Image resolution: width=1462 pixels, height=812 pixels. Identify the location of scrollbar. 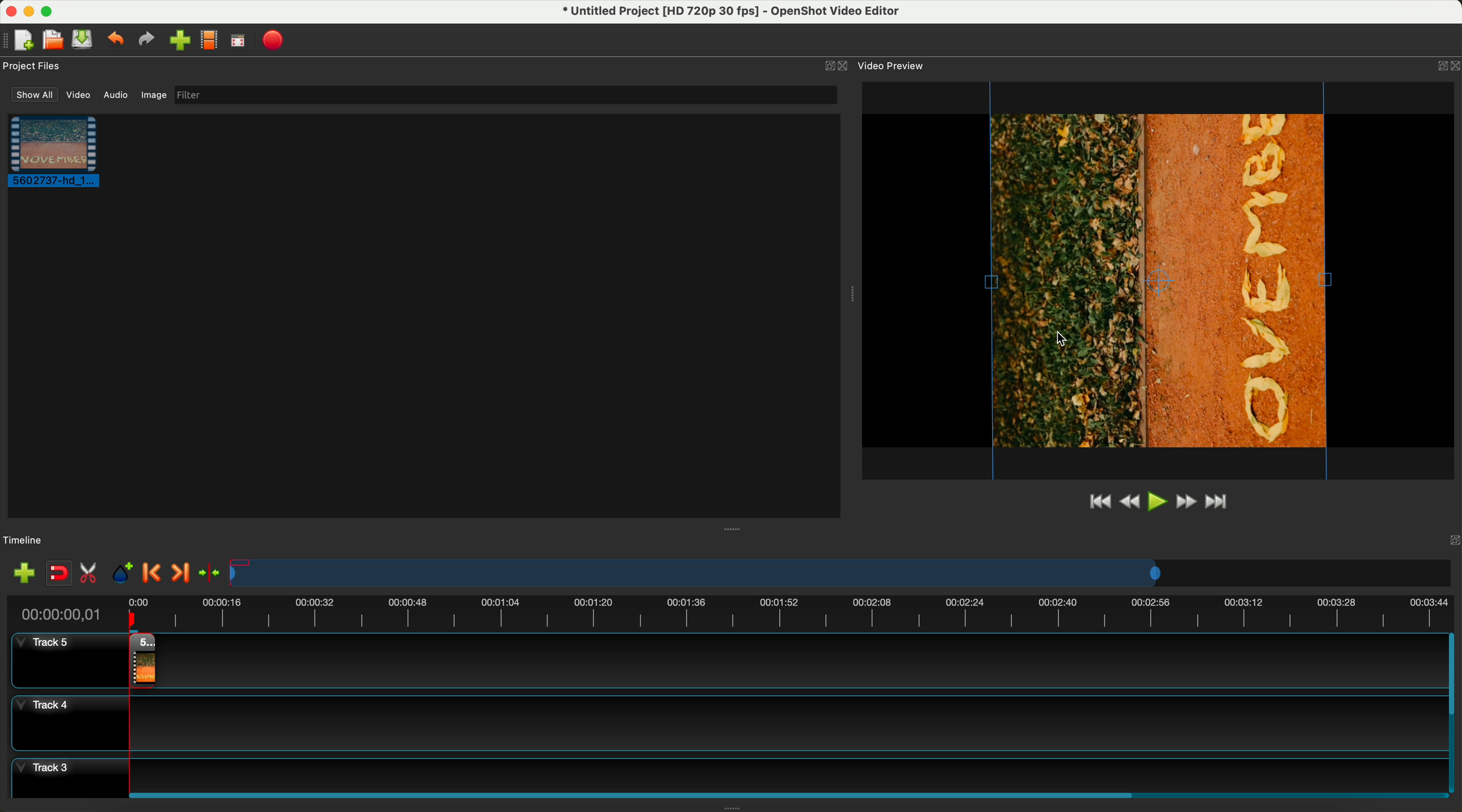
(1453, 711).